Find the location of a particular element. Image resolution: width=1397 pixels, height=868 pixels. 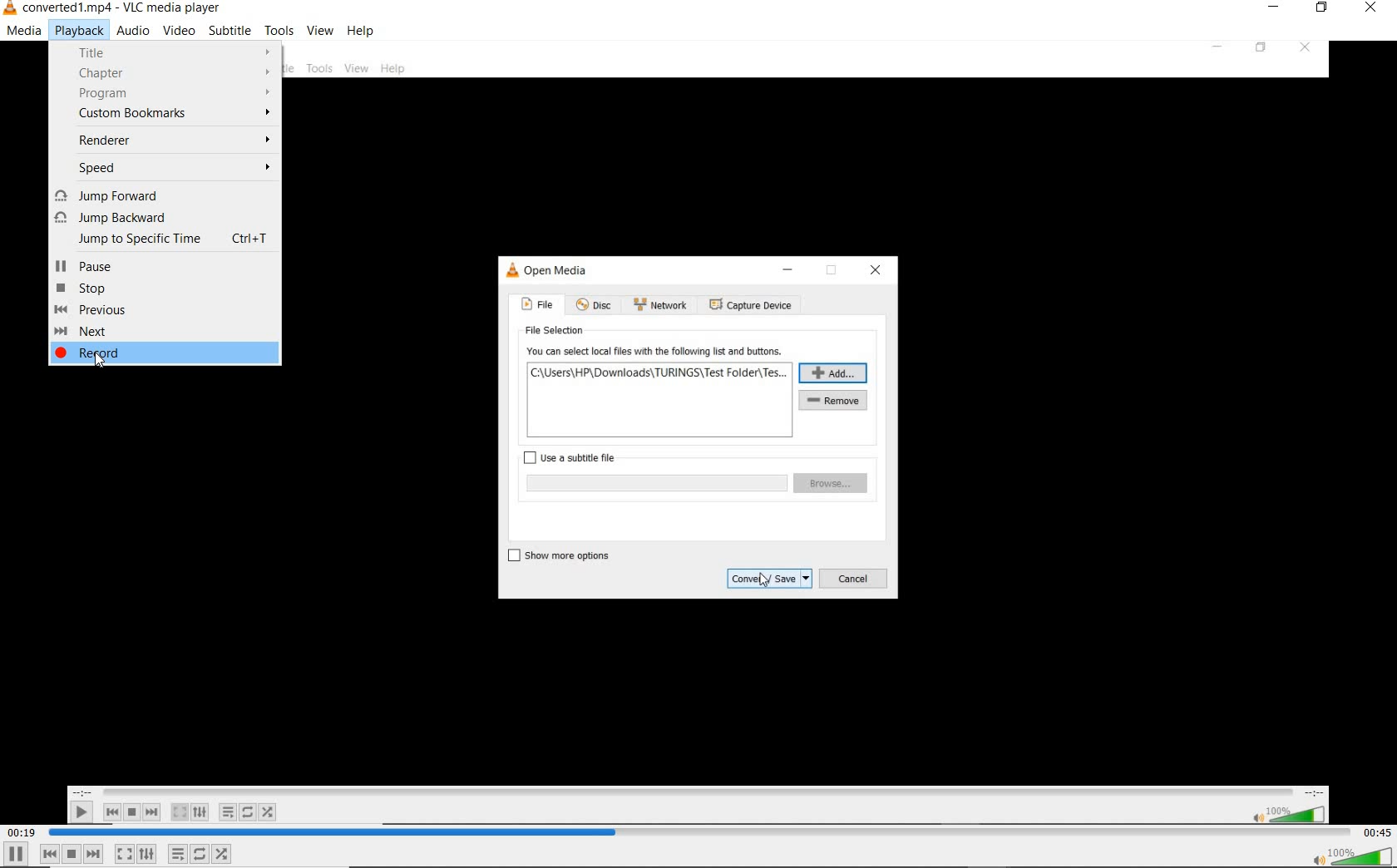

audio is located at coordinates (133, 32).